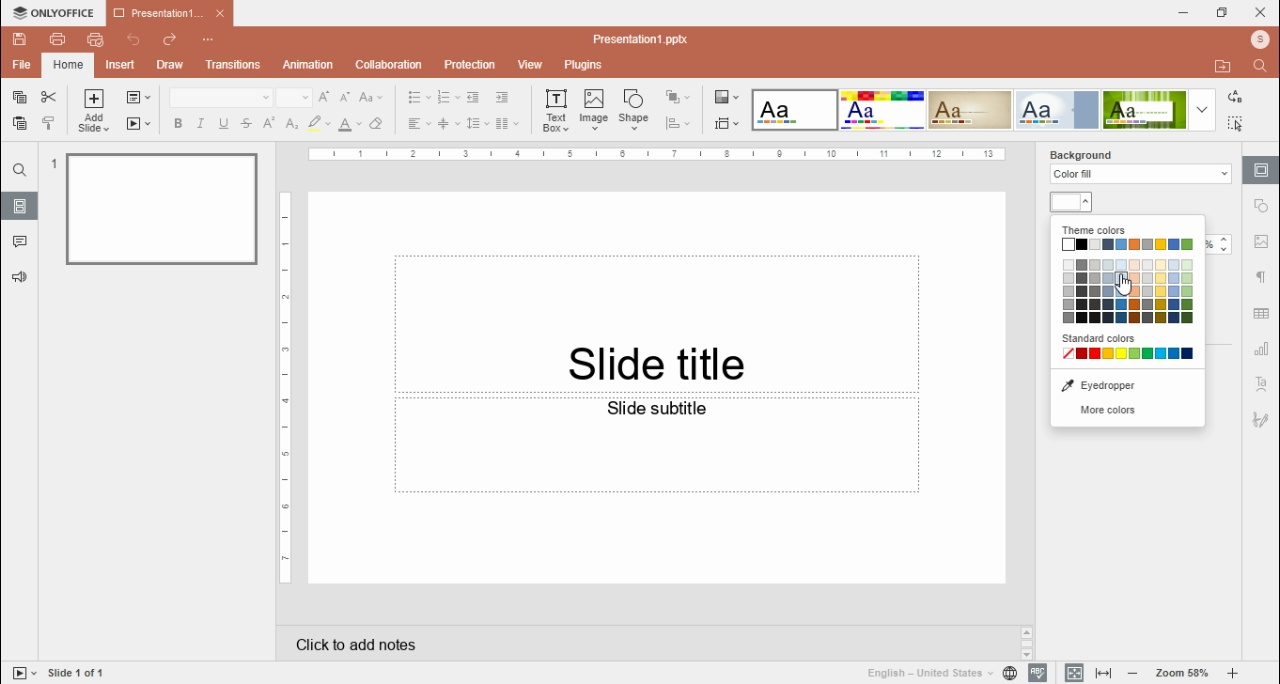 This screenshot has height=684, width=1280. Describe the element at coordinates (1262, 350) in the screenshot. I see `chart settings` at that location.